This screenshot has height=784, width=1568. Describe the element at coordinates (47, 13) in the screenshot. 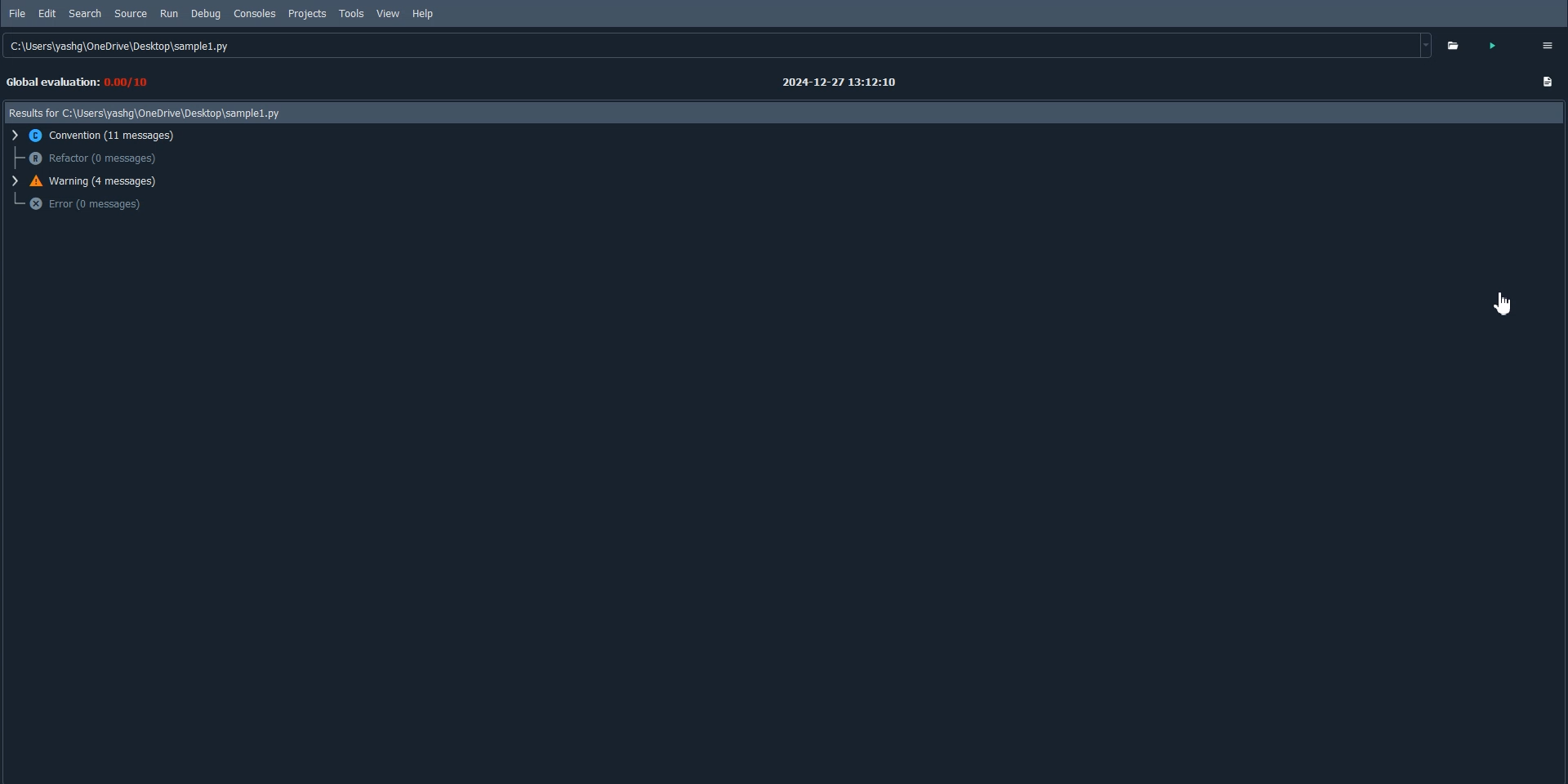

I see `Edit` at that location.